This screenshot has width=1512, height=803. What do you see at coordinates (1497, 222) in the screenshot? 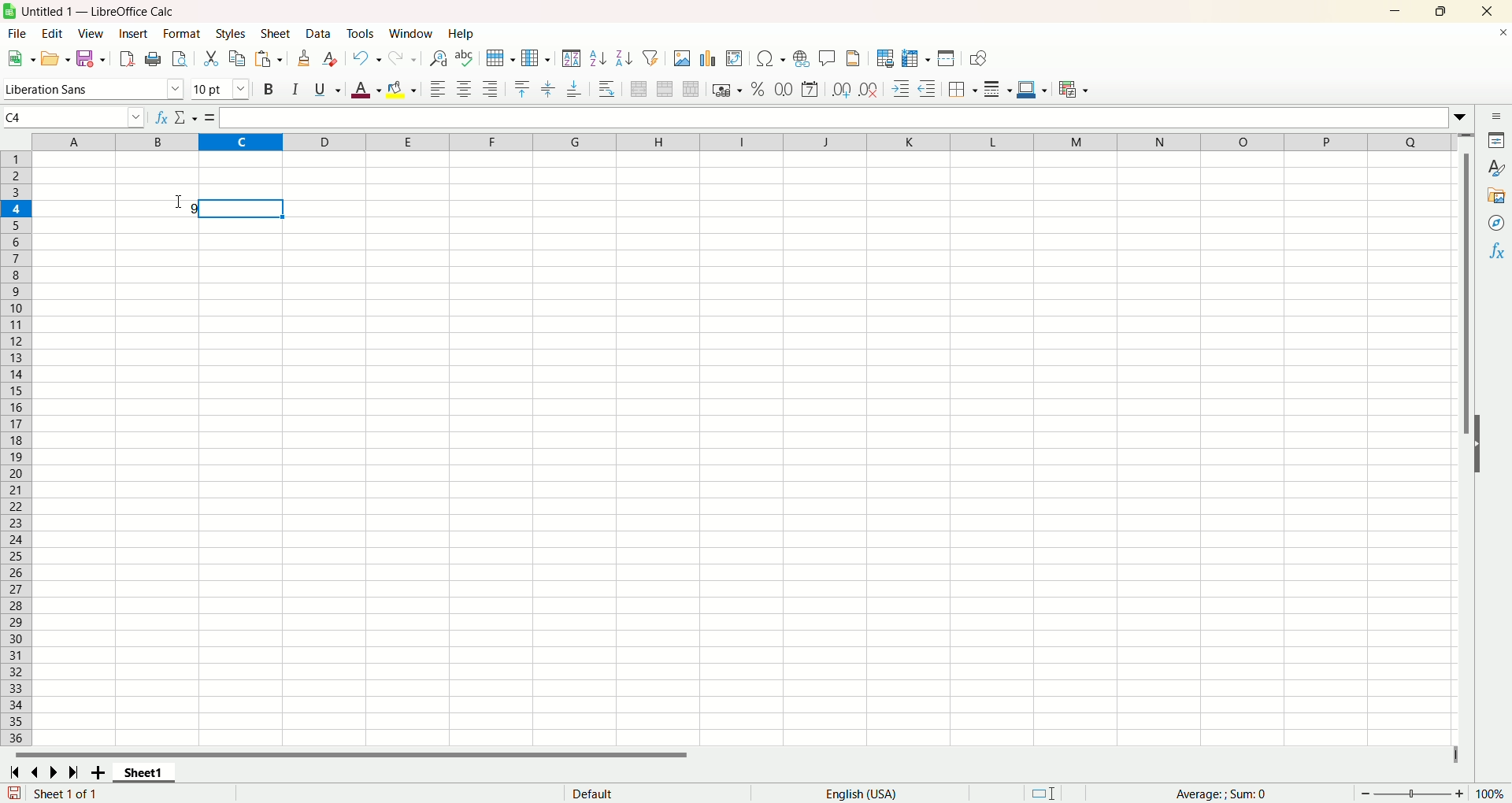
I see `navigator` at bounding box center [1497, 222].